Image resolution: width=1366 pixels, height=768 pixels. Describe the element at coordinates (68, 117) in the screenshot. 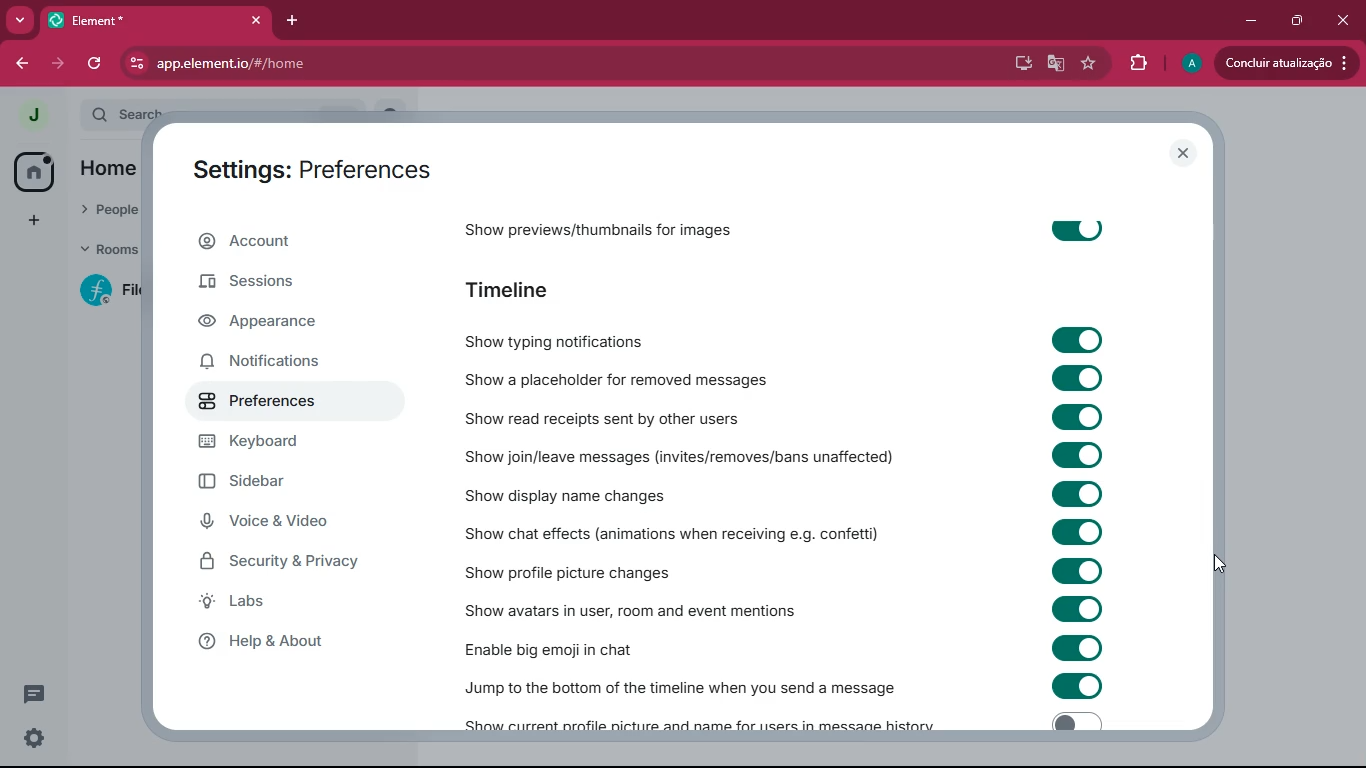

I see `expand` at that location.